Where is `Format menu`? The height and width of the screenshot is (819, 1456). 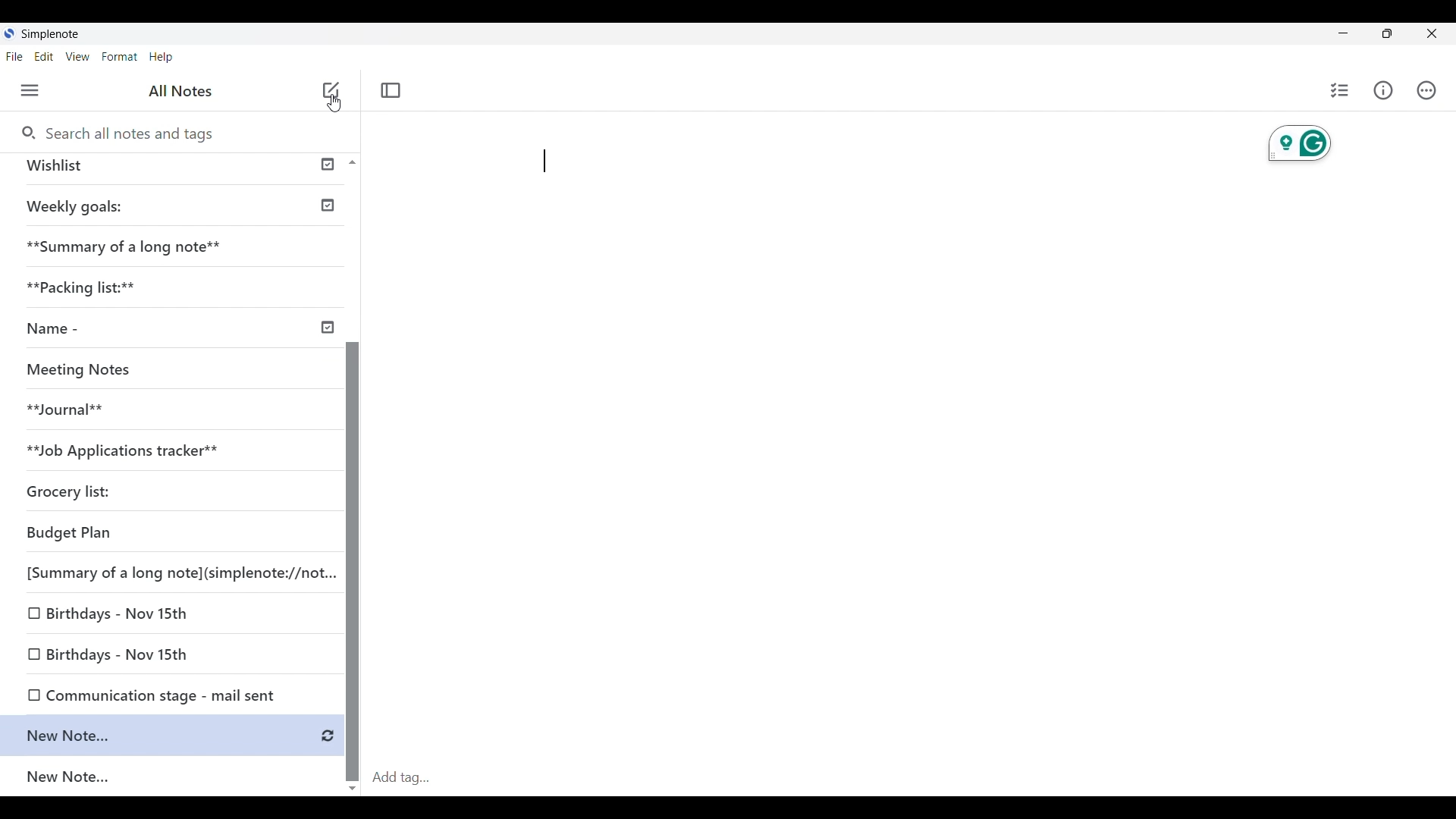
Format menu is located at coordinates (119, 57).